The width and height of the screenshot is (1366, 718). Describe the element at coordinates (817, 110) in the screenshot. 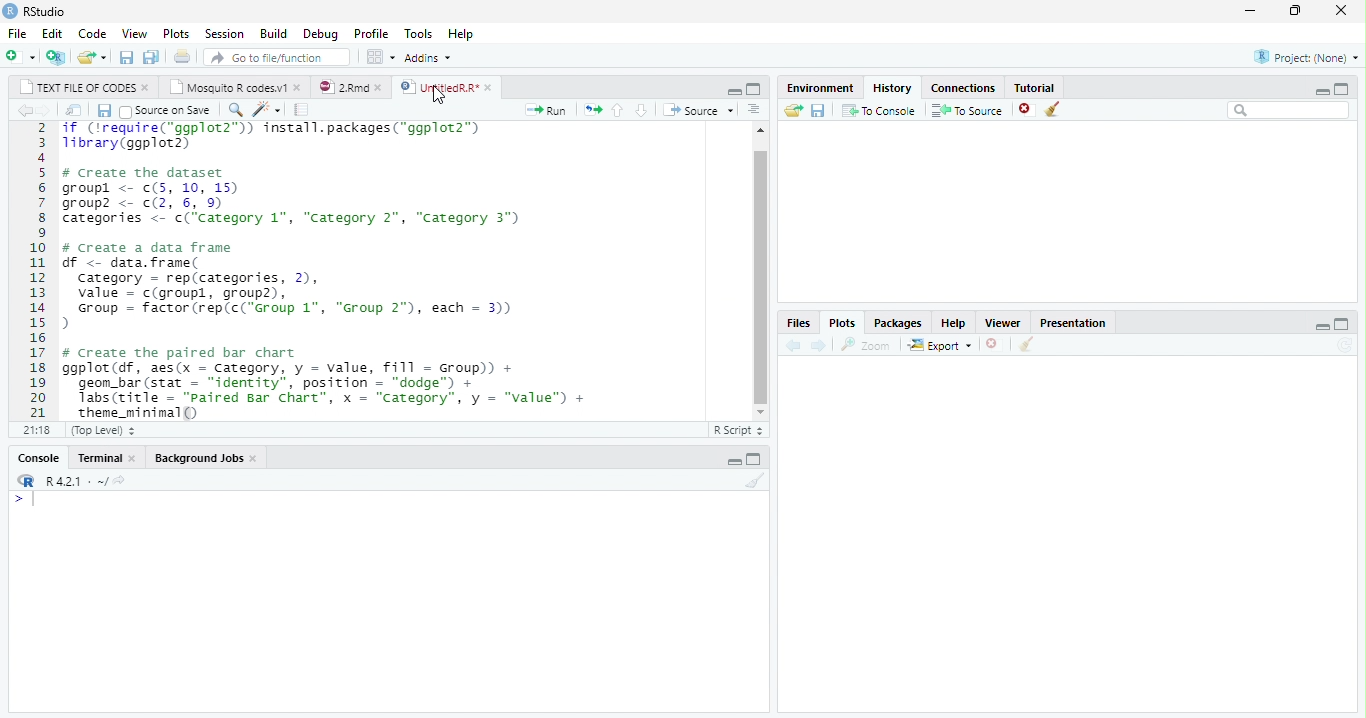

I see `save history ` at that location.